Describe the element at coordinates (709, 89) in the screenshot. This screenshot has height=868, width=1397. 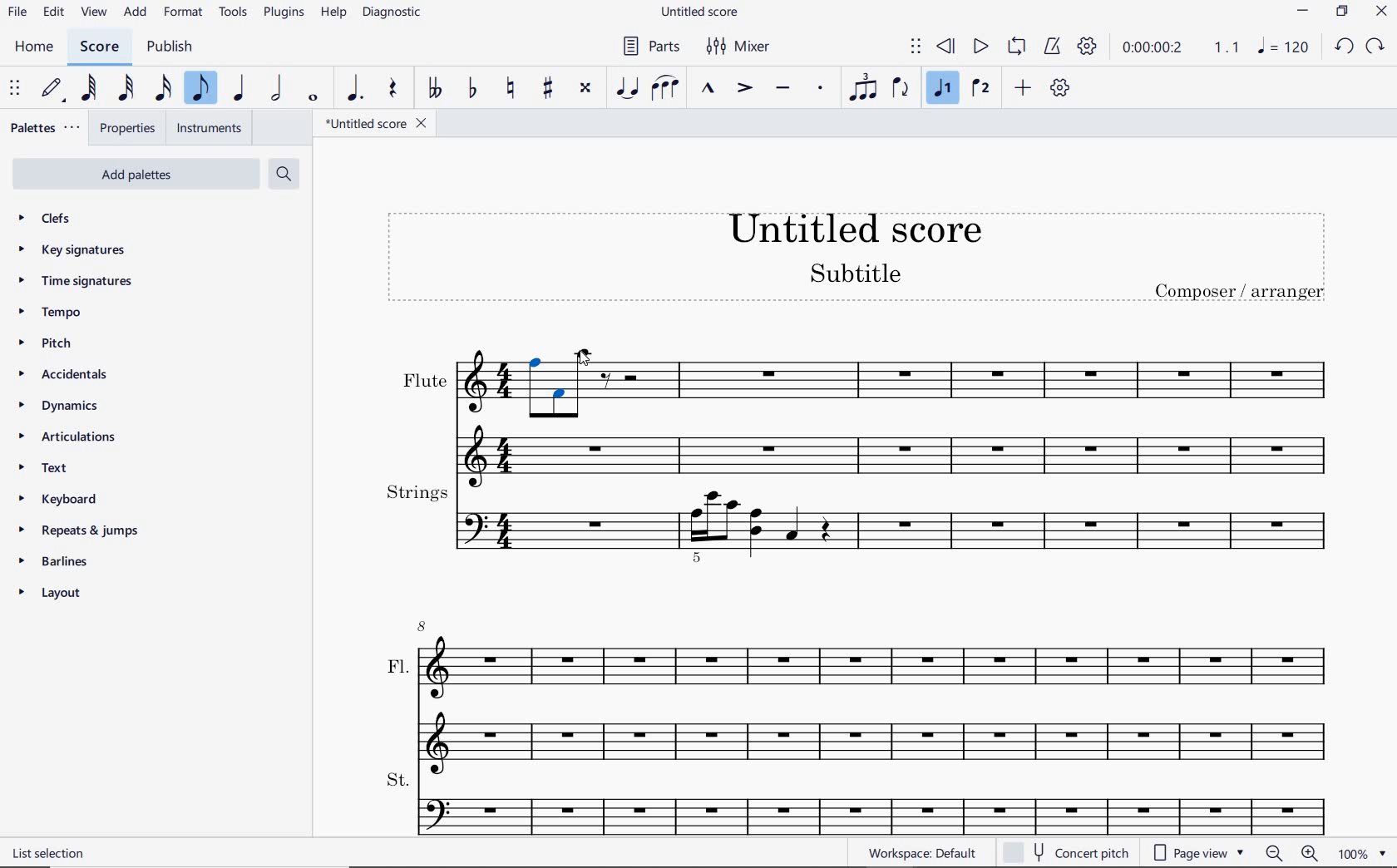
I see `MARCATO` at that location.